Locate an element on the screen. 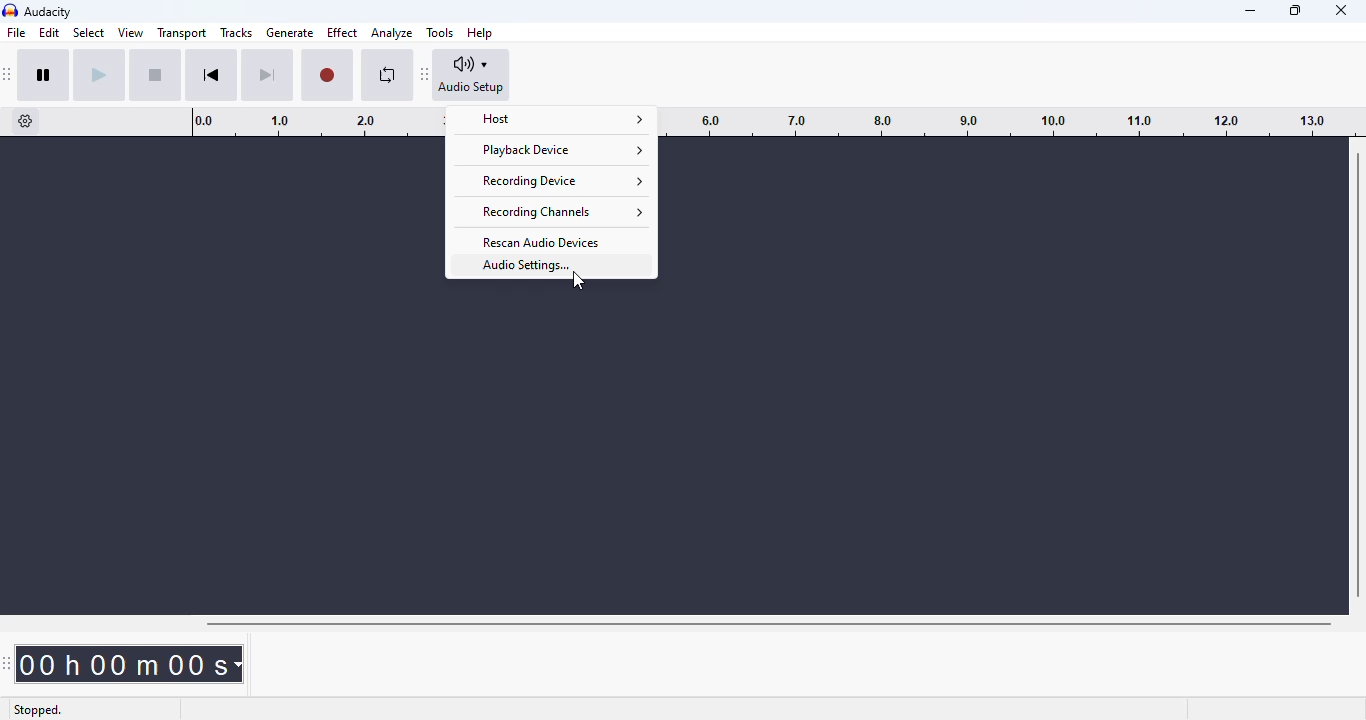 This screenshot has width=1366, height=720. logo is located at coordinates (10, 11).